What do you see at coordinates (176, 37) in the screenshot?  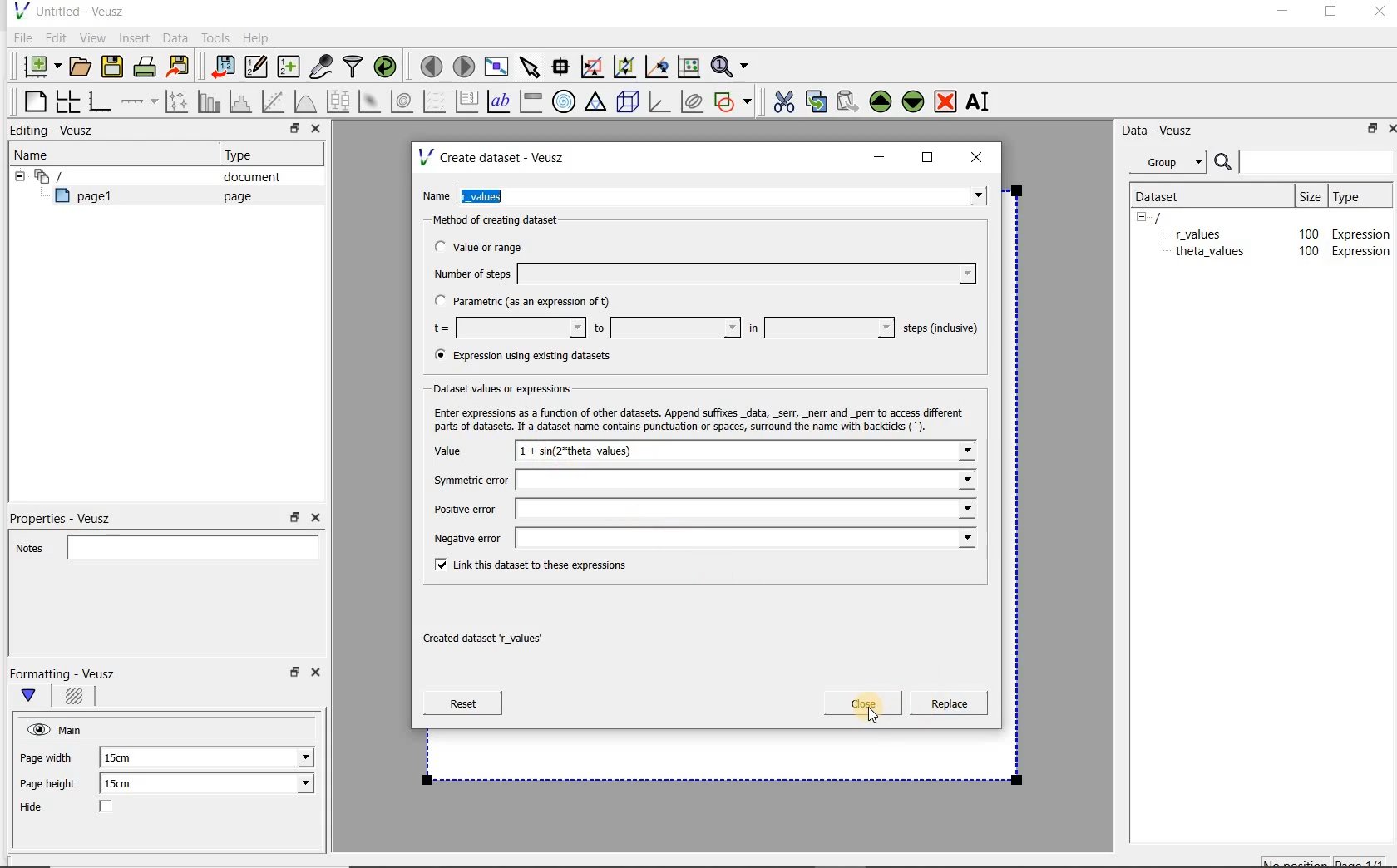 I see `Data` at bounding box center [176, 37].